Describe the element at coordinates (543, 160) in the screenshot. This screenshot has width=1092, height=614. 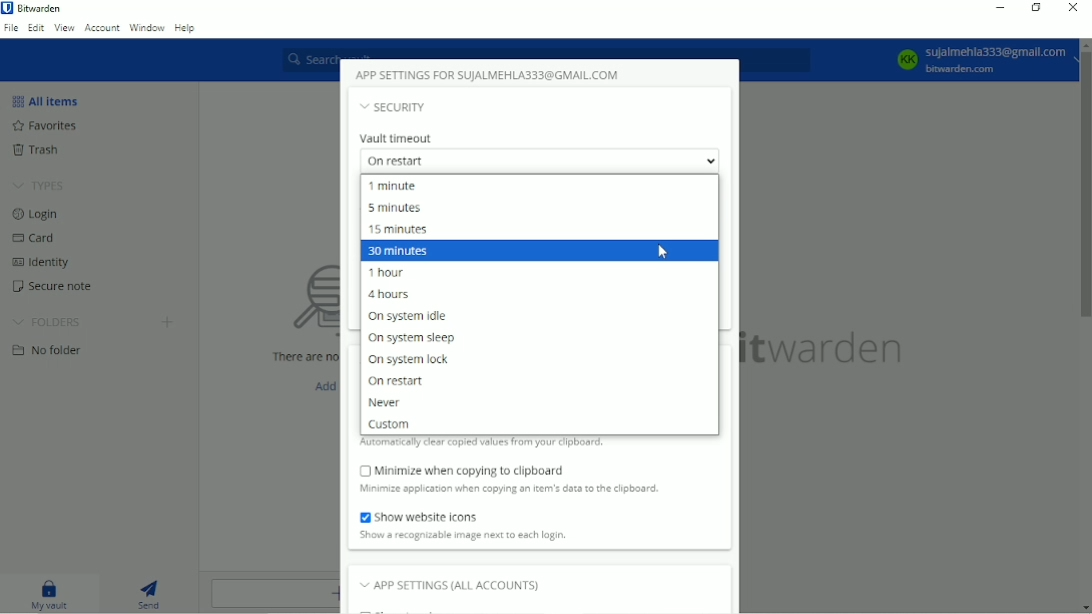
I see `On restart` at that location.